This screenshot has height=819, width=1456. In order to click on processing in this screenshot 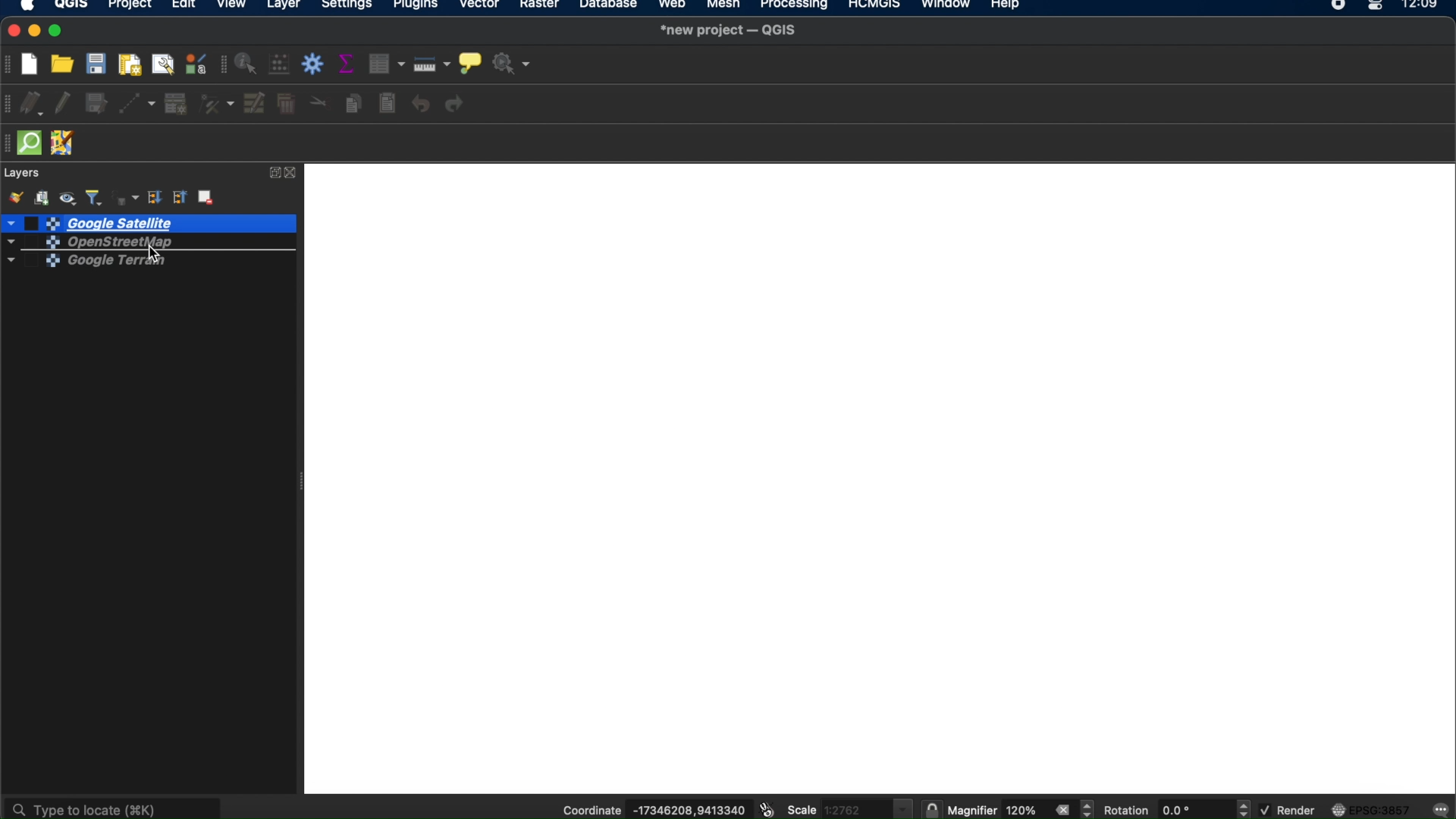, I will do `click(795, 6)`.